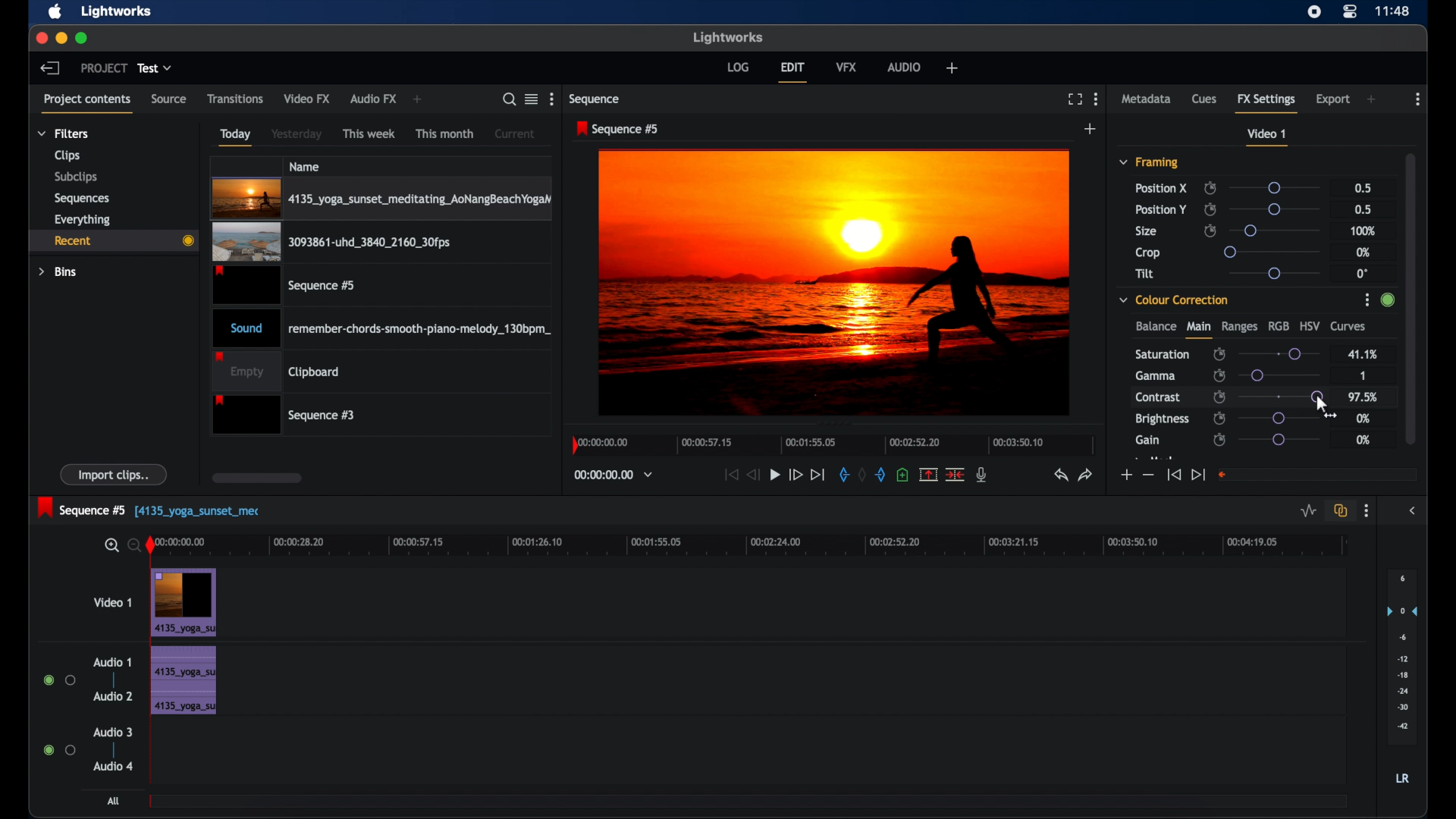 The image size is (1456, 819). Describe the element at coordinates (112, 732) in the screenshot. I see `audio 3` at that location.